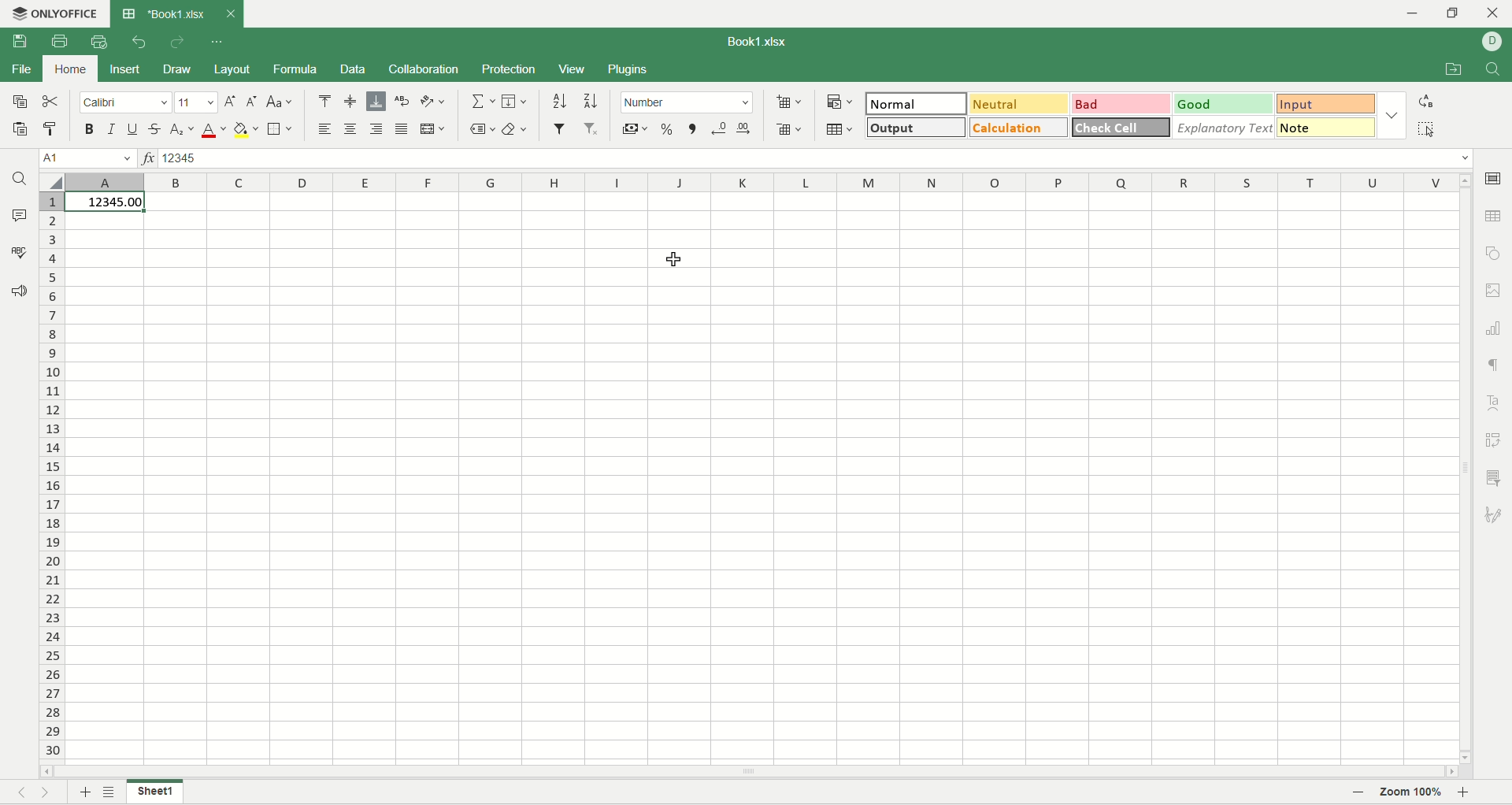 The width and height of the screenshot is (1512, 805). Describe the element at coordinates (60, 41) in the screenshot. I see `print` at that location.